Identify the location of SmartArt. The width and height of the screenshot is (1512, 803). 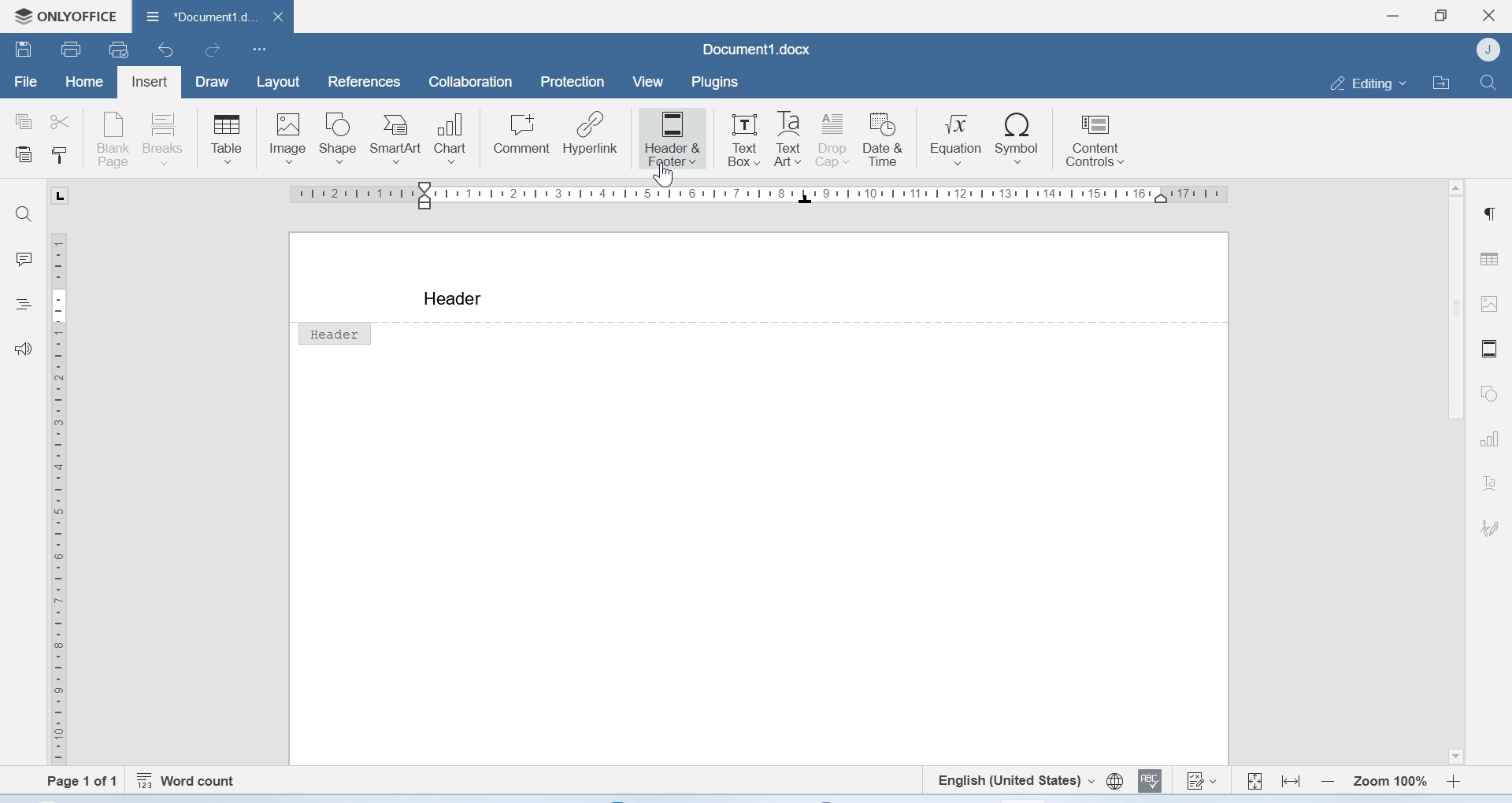
(399, 135).